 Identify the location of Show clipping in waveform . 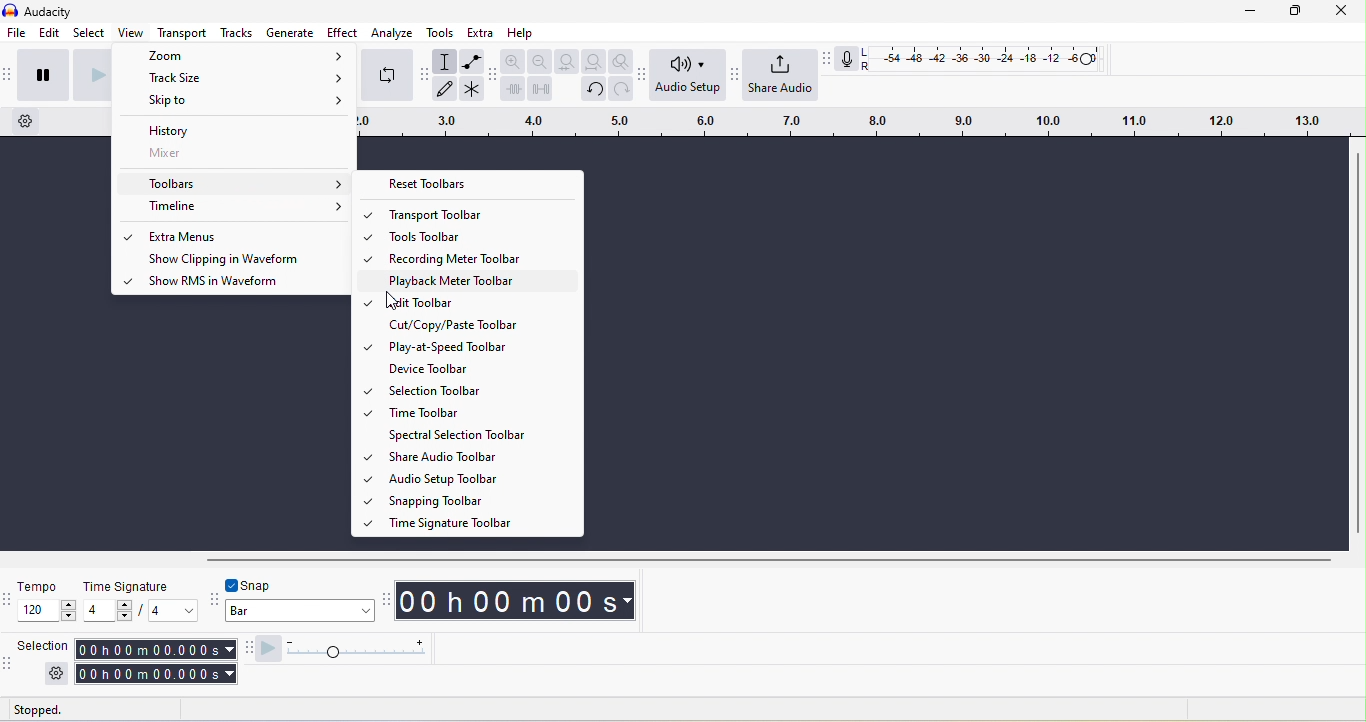
(242, 259).